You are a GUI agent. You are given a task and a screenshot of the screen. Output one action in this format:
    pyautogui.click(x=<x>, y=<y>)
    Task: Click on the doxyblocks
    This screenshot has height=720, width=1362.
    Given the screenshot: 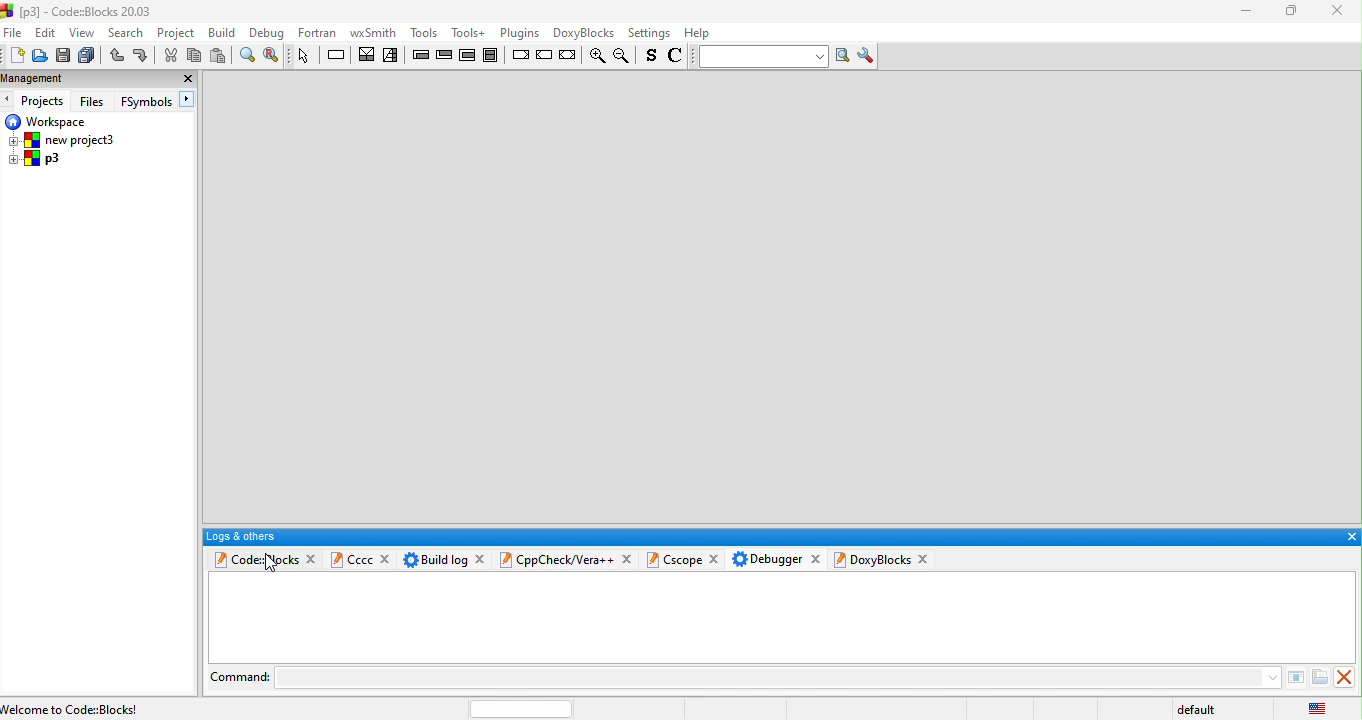 What is the action you would take?
    pyautogui.click(x=873, y=559)
    